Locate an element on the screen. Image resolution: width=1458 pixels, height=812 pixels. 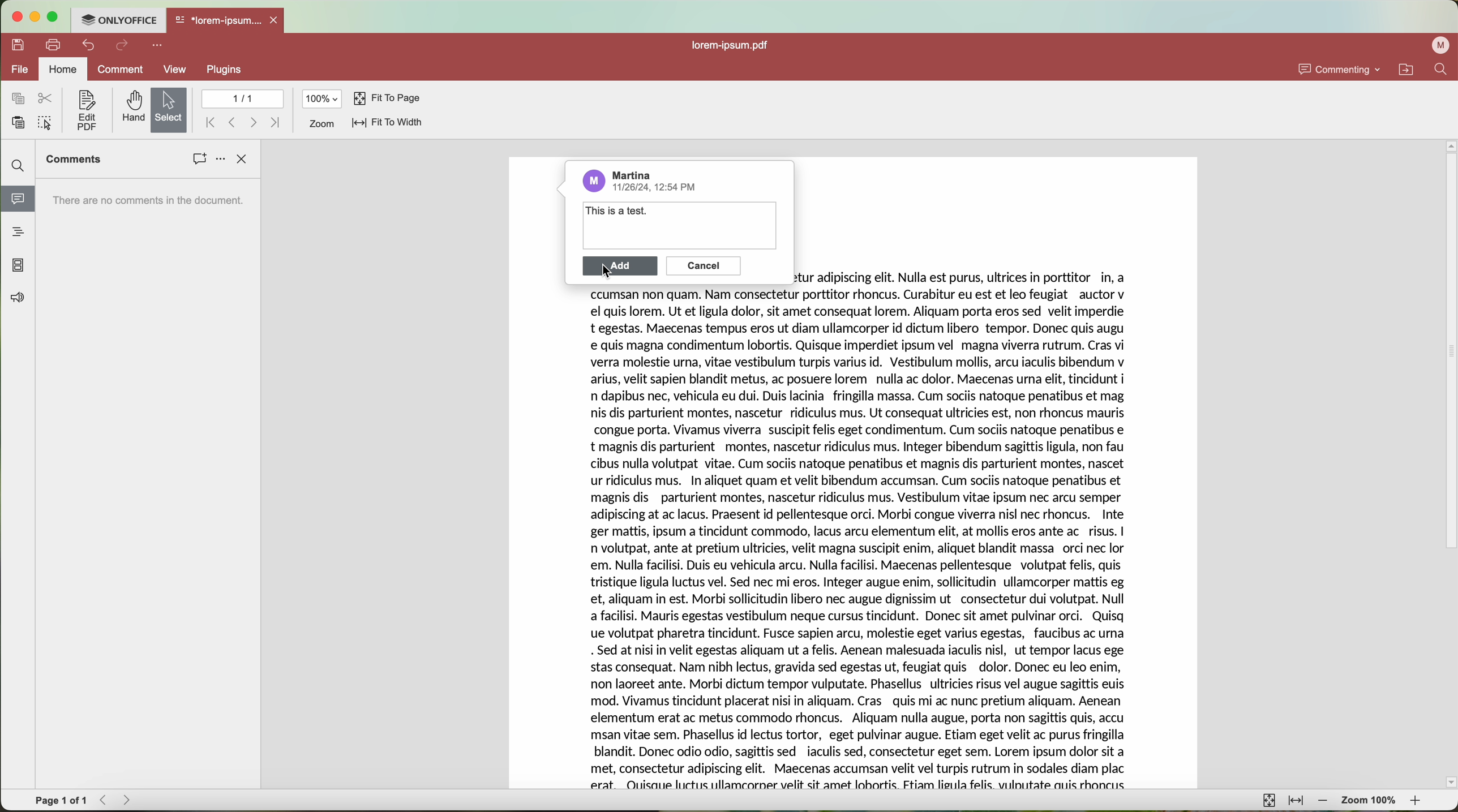
edit PDF is located at coordinates (85, 111).